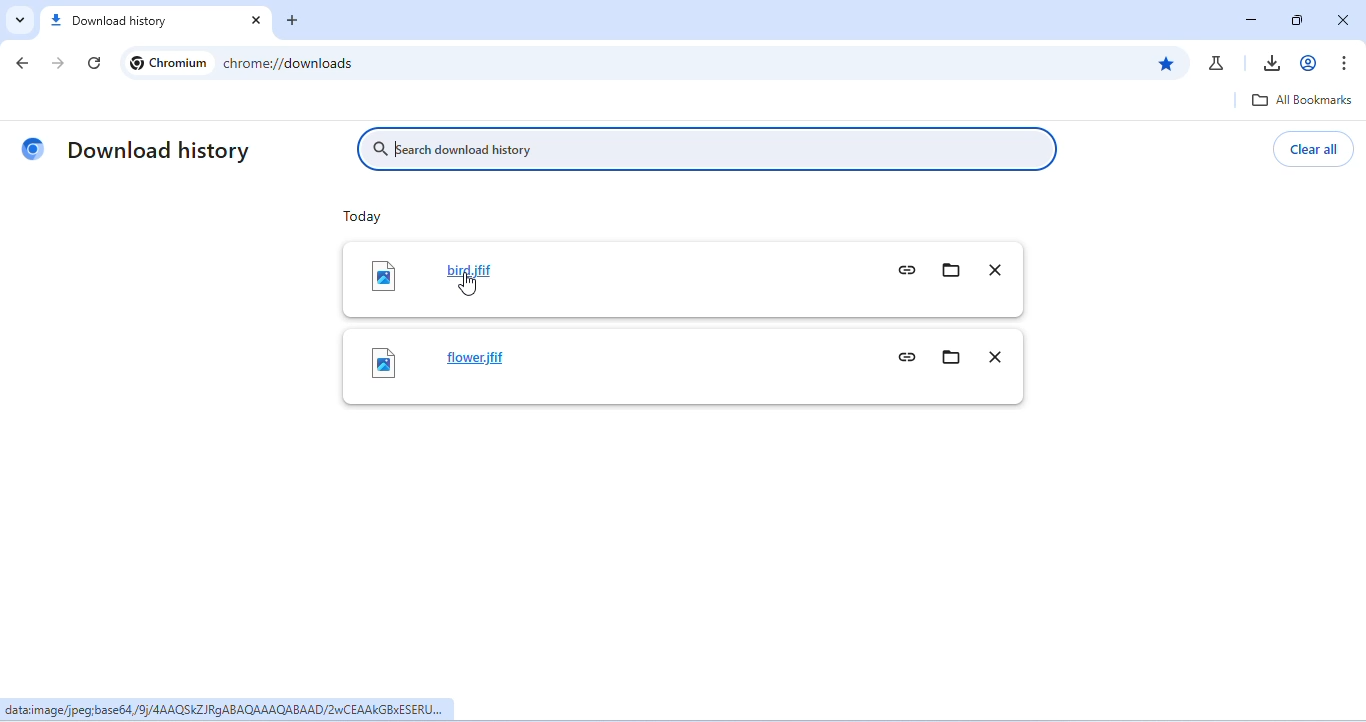 Image resolution: width=1366 pixels, height=722 pixels. I want to click on download history, so click(113, 22).